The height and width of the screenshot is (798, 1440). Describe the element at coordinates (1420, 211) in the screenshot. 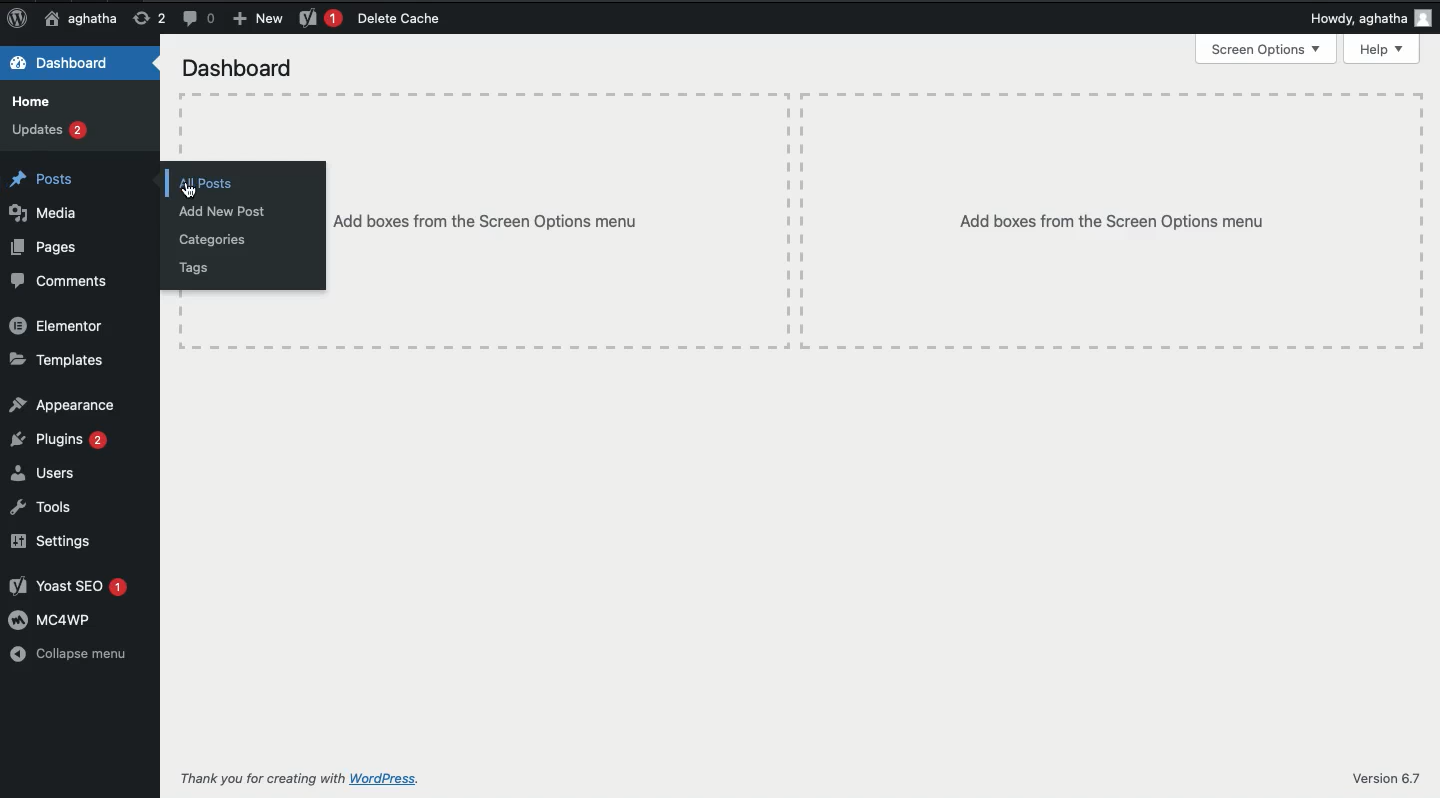

I see `Table line` at that location.